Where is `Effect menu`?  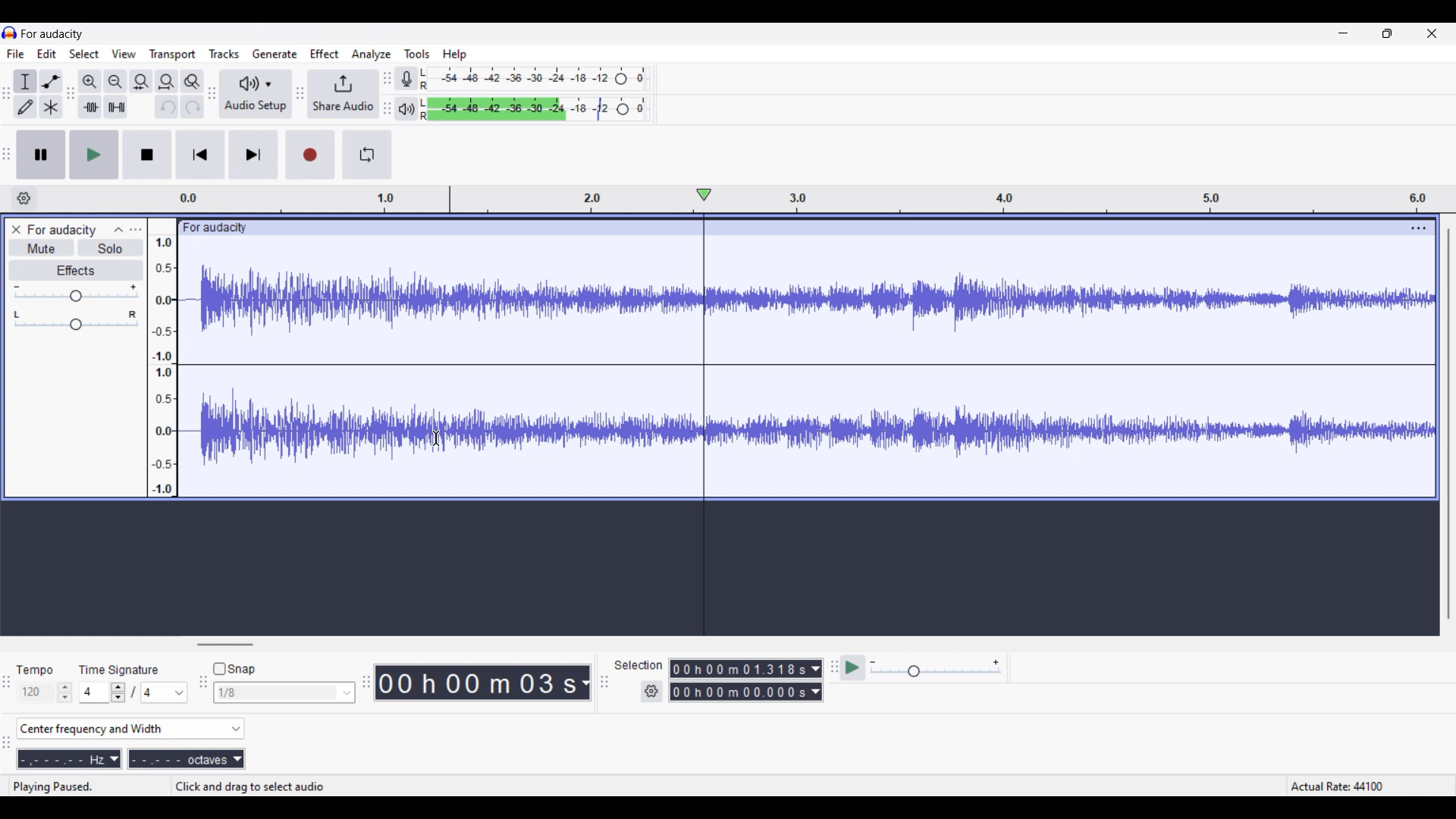
Effect menu is located at coordinates (325, 53).